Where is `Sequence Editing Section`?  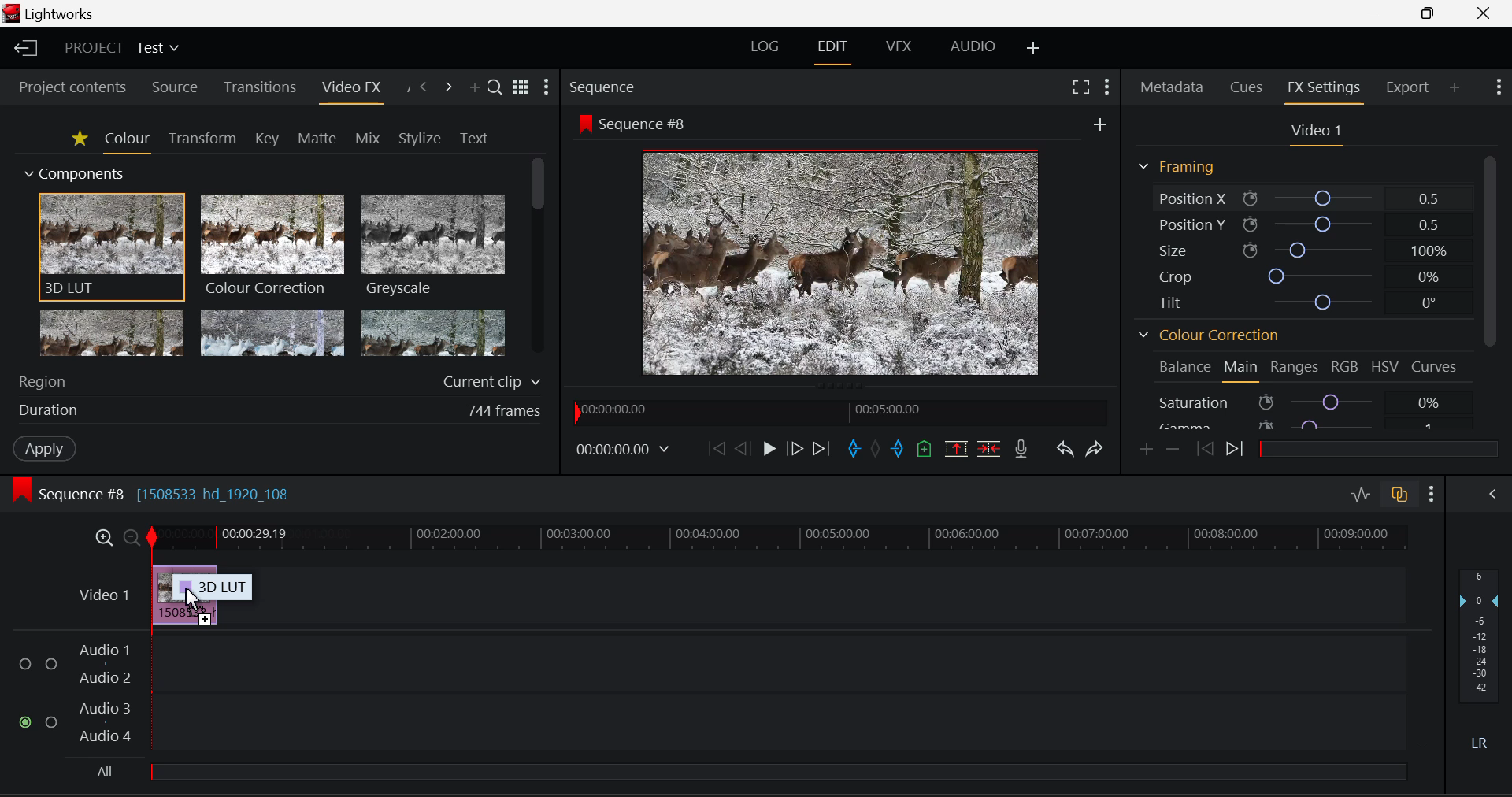 Sequence Editing Section is located at coordinates (157, 495).